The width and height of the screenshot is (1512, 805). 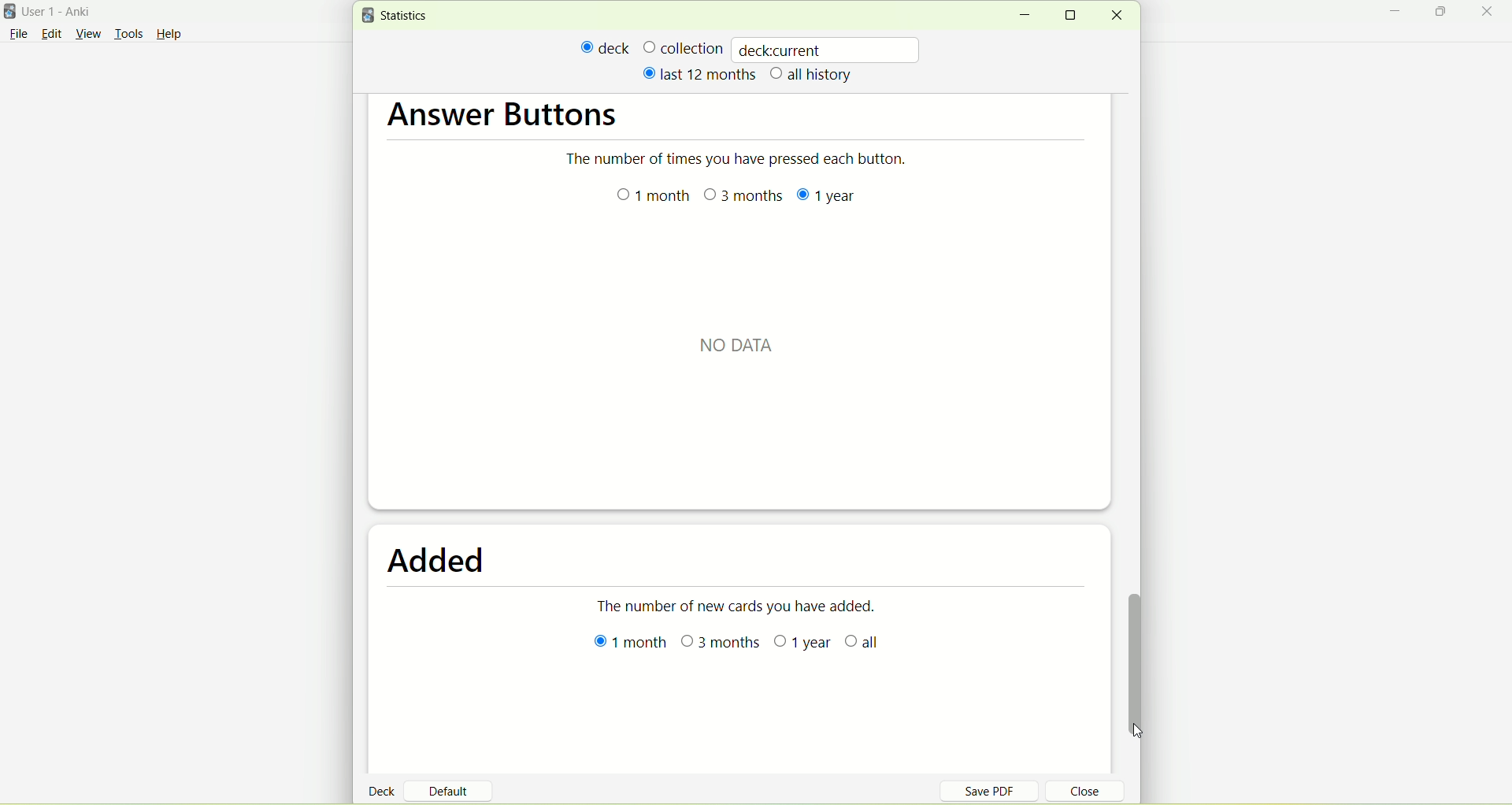 I want to click on 1 month, so click(x=631, y=645).